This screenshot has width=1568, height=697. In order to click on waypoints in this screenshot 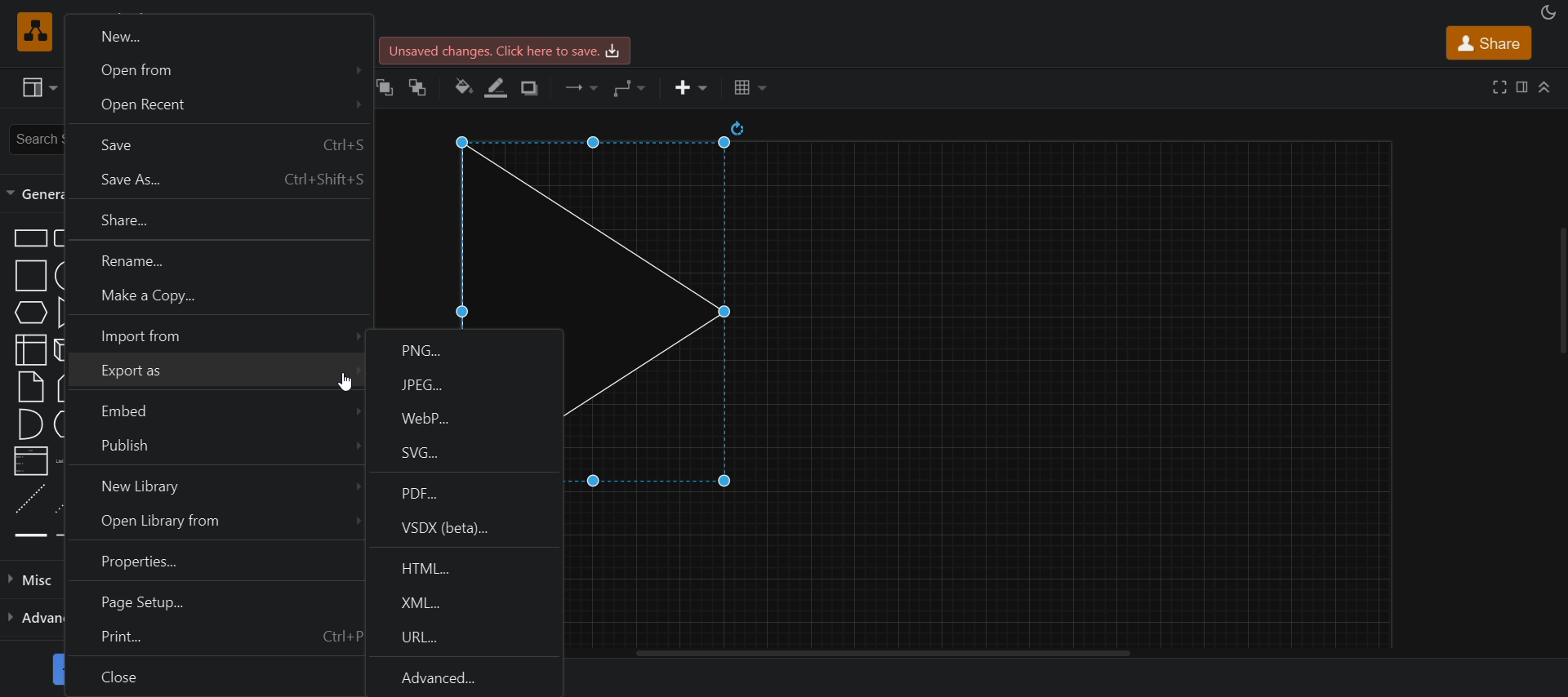, I will do `click(628, 87)`.